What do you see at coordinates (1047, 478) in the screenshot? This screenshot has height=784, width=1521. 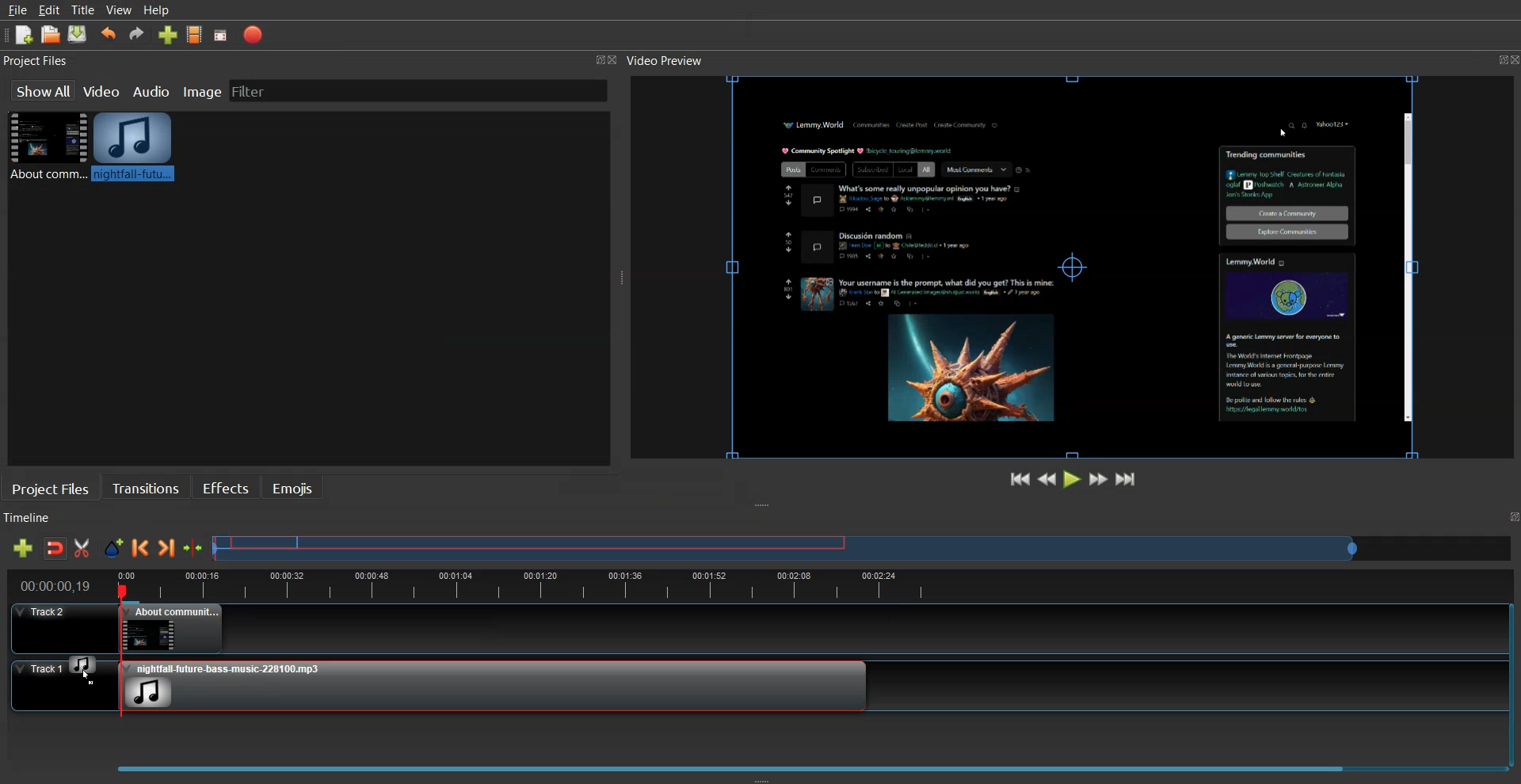 I see `Rewind` at bounding box center [1047, 478].